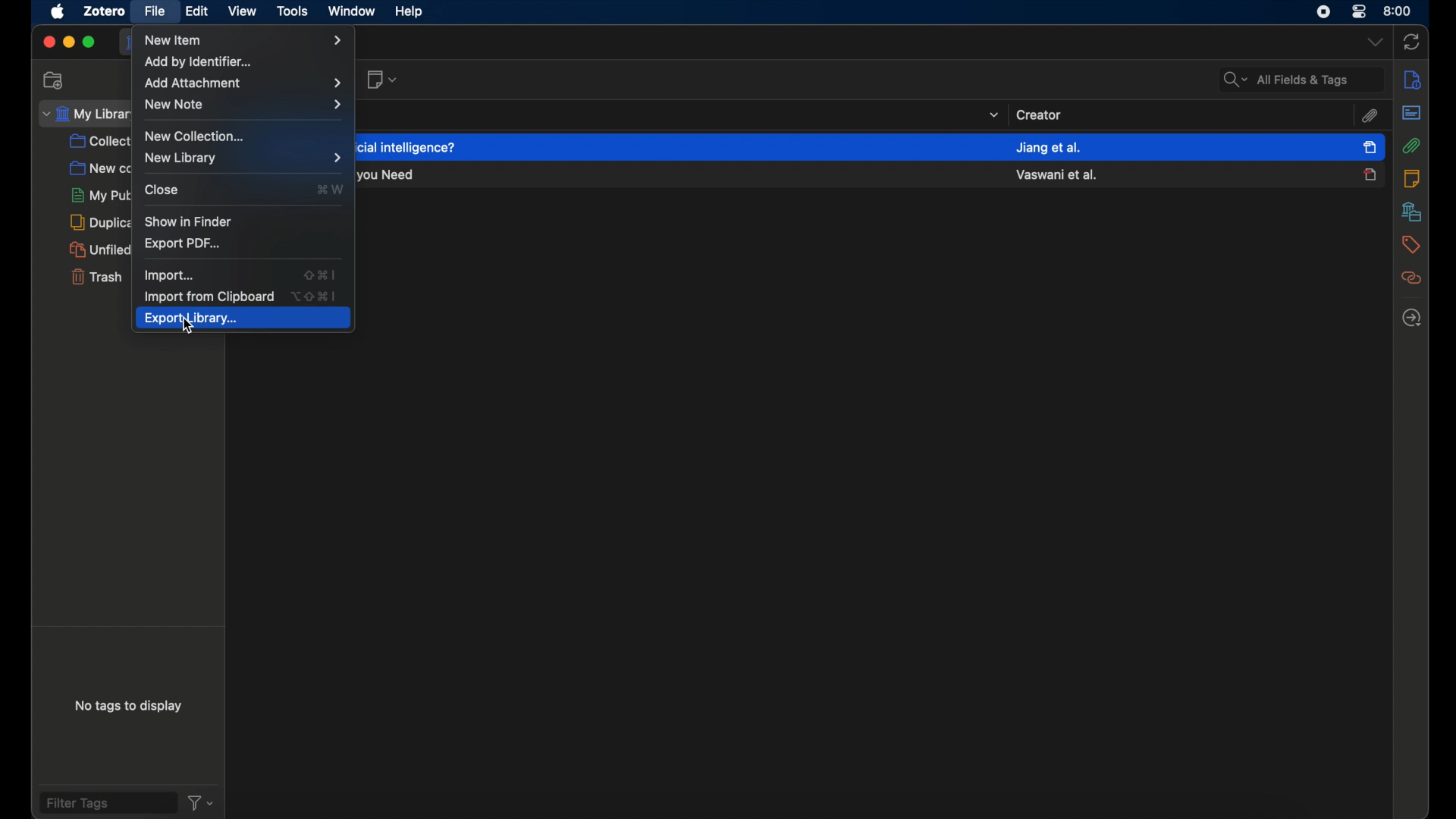 The height and width of the screenshot is (819, 1456). I want to click on new note, so click(381, 80).